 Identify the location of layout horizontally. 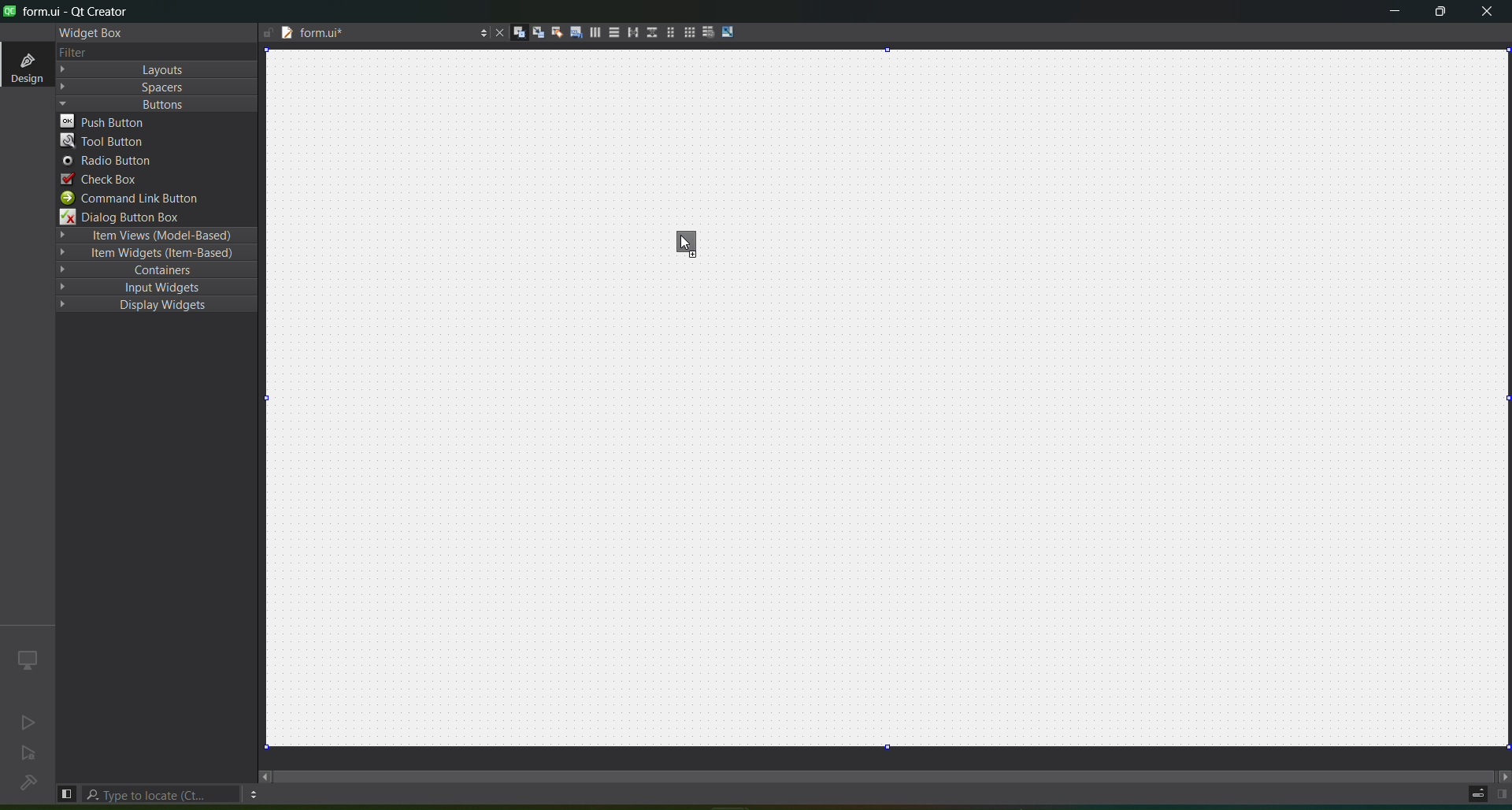
(594, 32).